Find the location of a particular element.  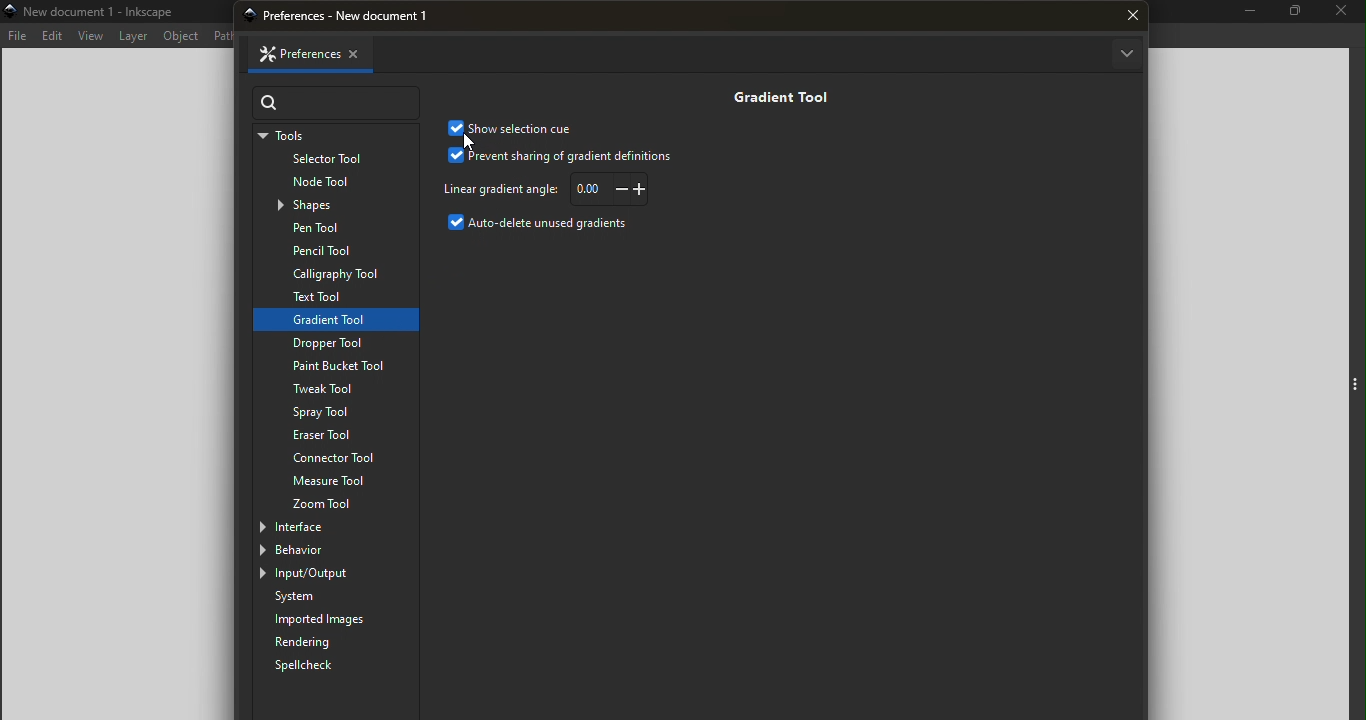

Rendering is located at coordinates (333, 642).